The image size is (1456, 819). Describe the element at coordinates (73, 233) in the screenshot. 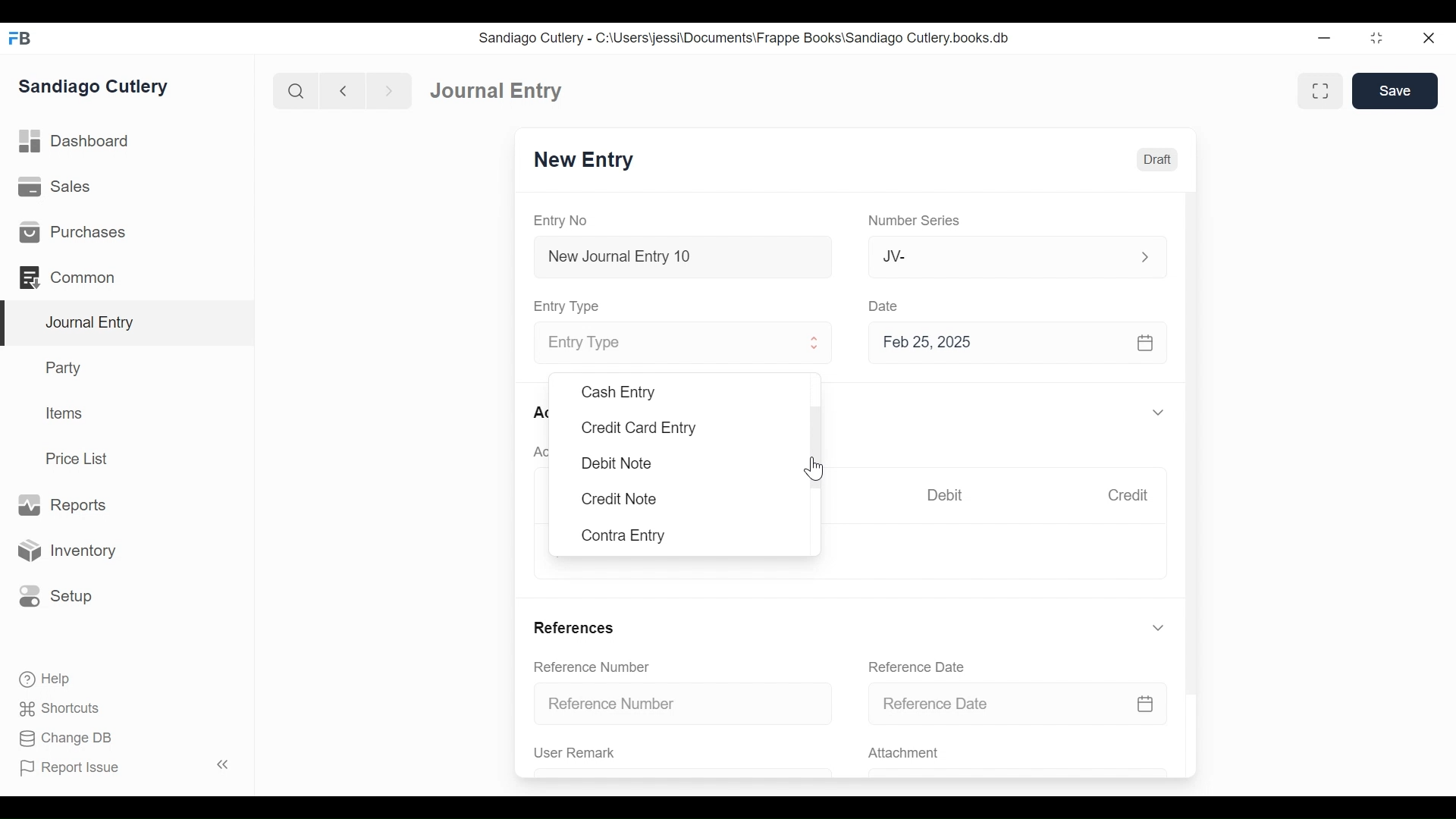

I see `Purchases` at that location.